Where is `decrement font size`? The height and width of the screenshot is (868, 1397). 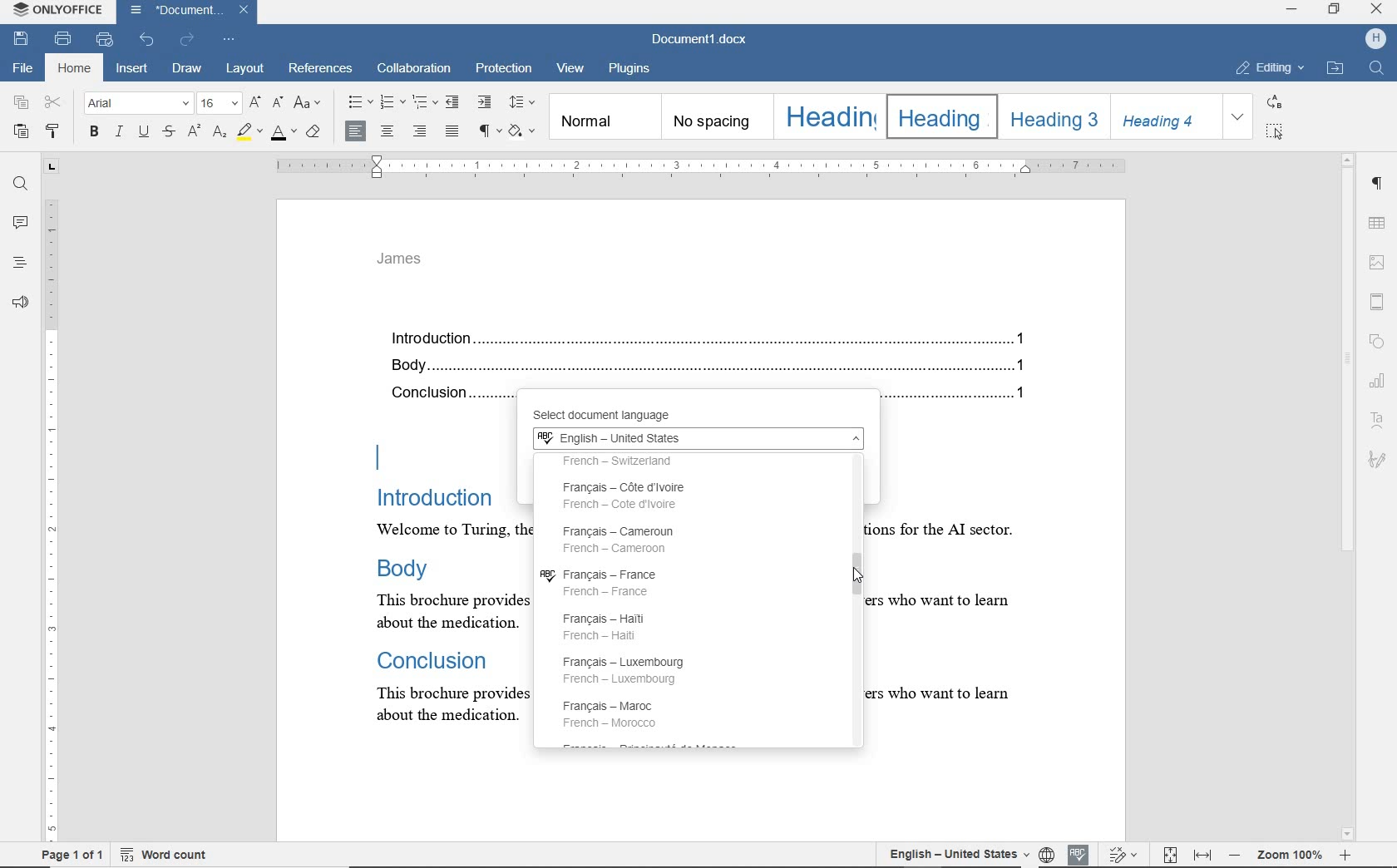 decrement font size is located at coordinates (278, 101).